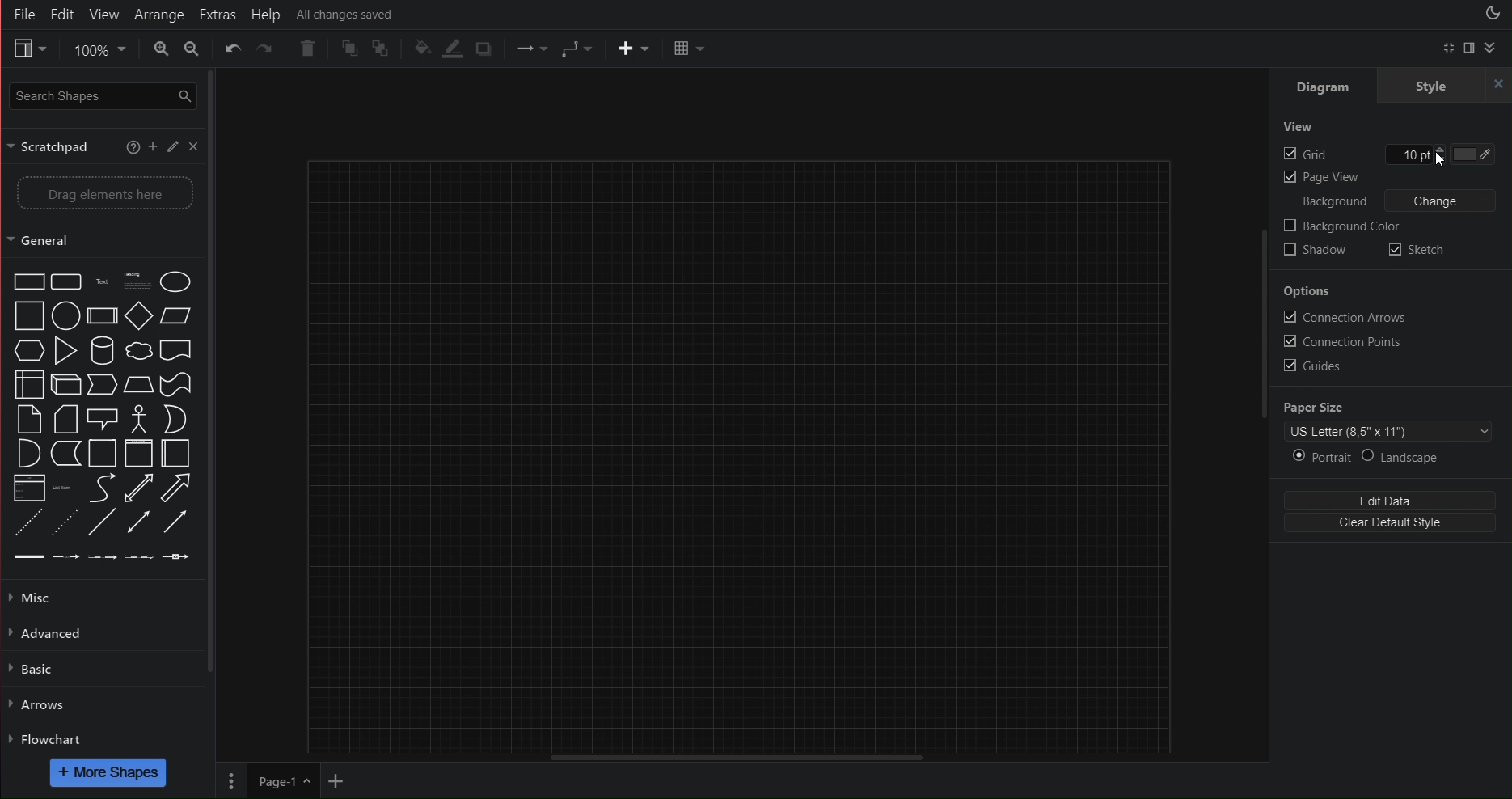  Describe the element at coordinates (385, 48) in the screenshot. I see `Send Back` at that location.